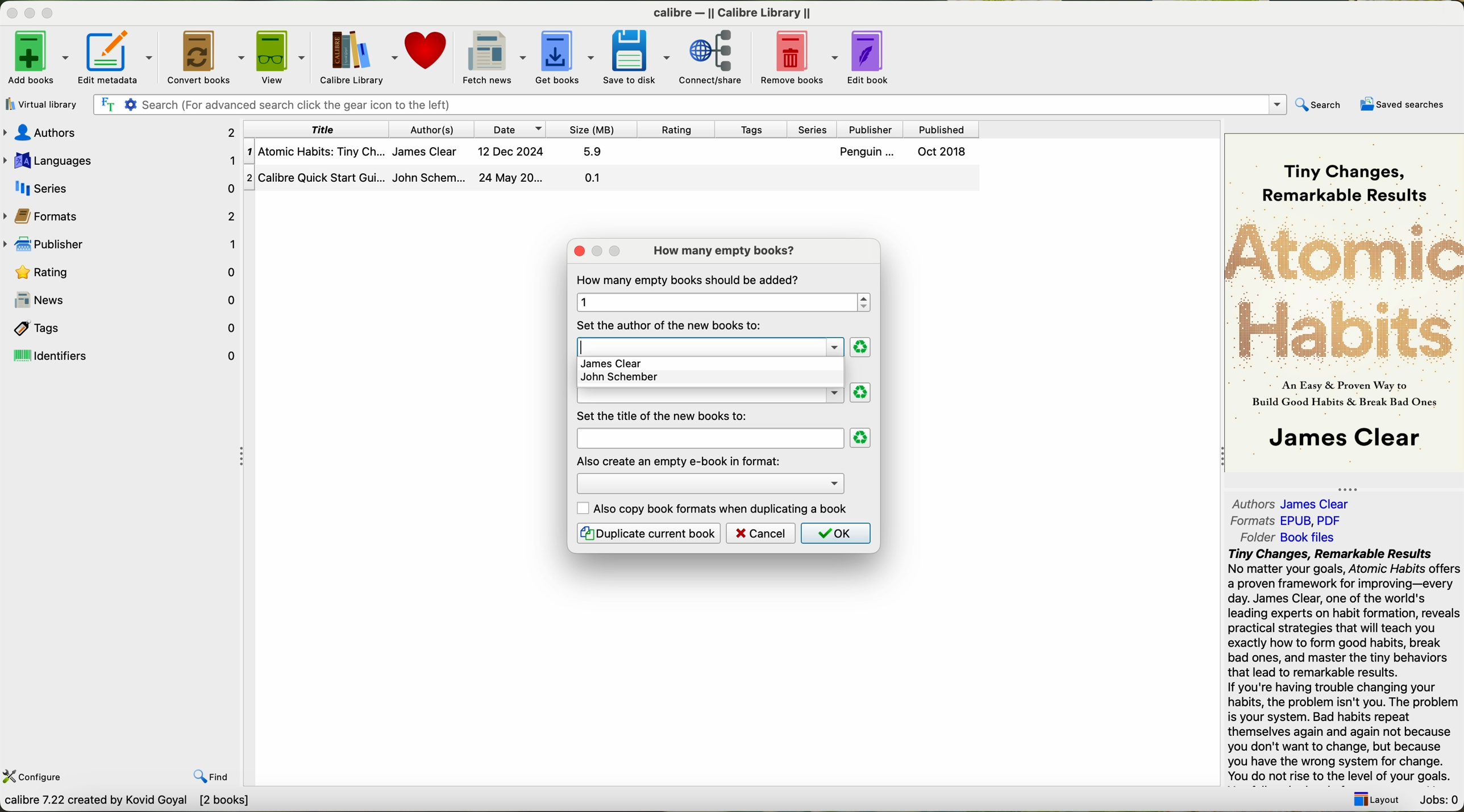 Image resolution: width=1464 pixels, height=812 pixels. Describe the element at coordinates (1321, 103) in the screenshot. I see `search` at that location.